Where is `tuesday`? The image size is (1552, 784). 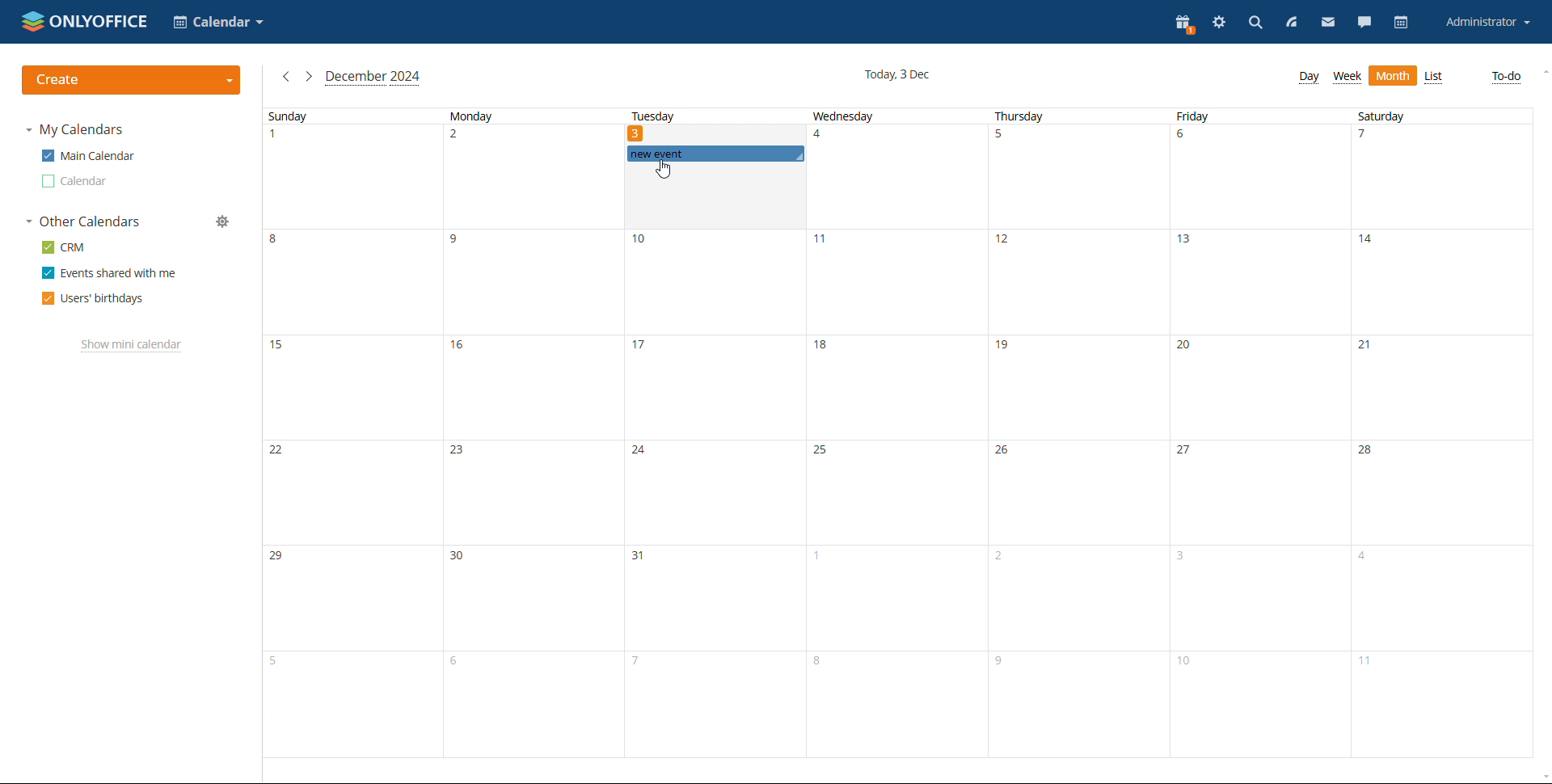
tuesday is located at coordinates (713, 487).